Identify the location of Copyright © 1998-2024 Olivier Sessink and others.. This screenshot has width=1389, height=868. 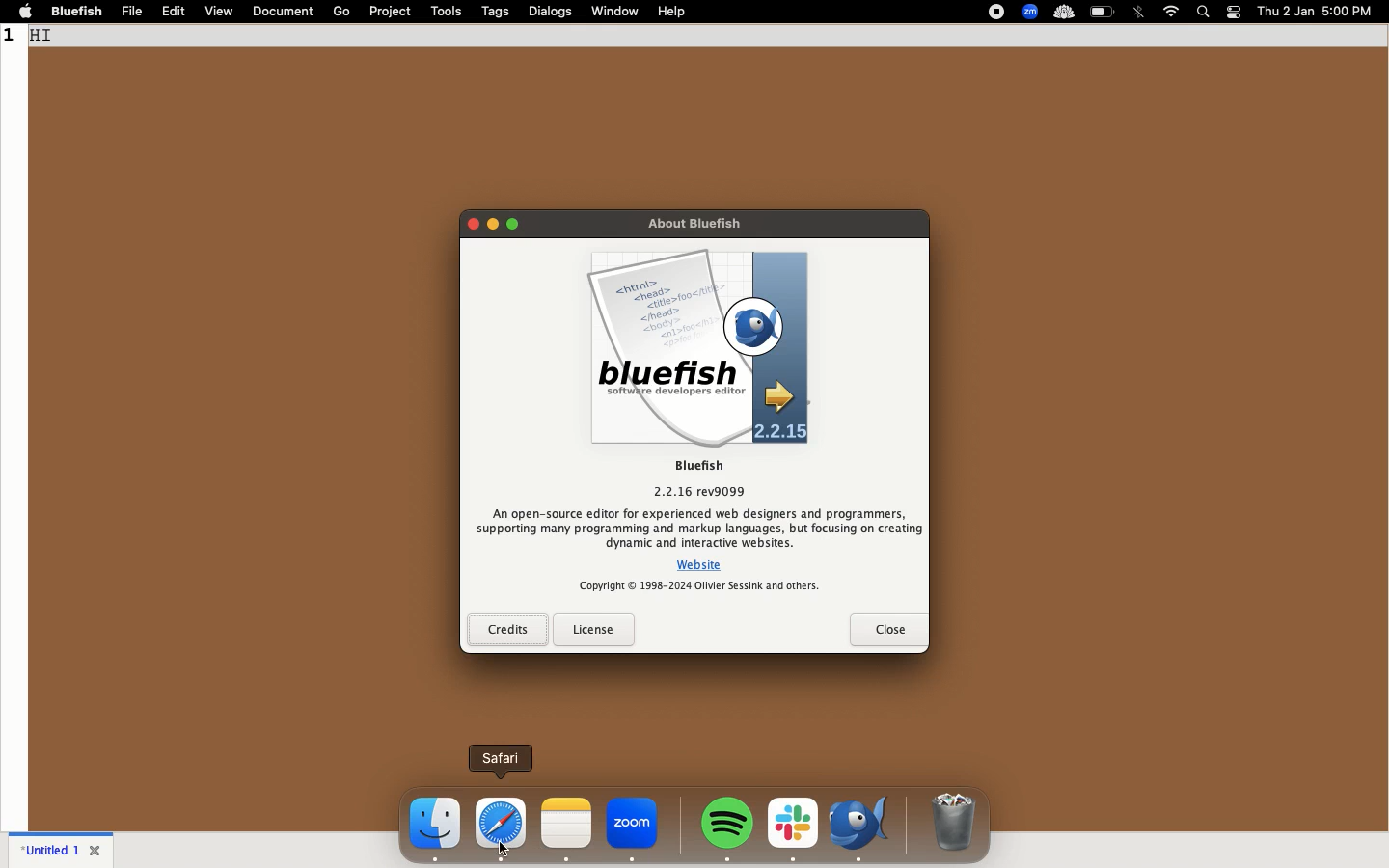
(697, 587).